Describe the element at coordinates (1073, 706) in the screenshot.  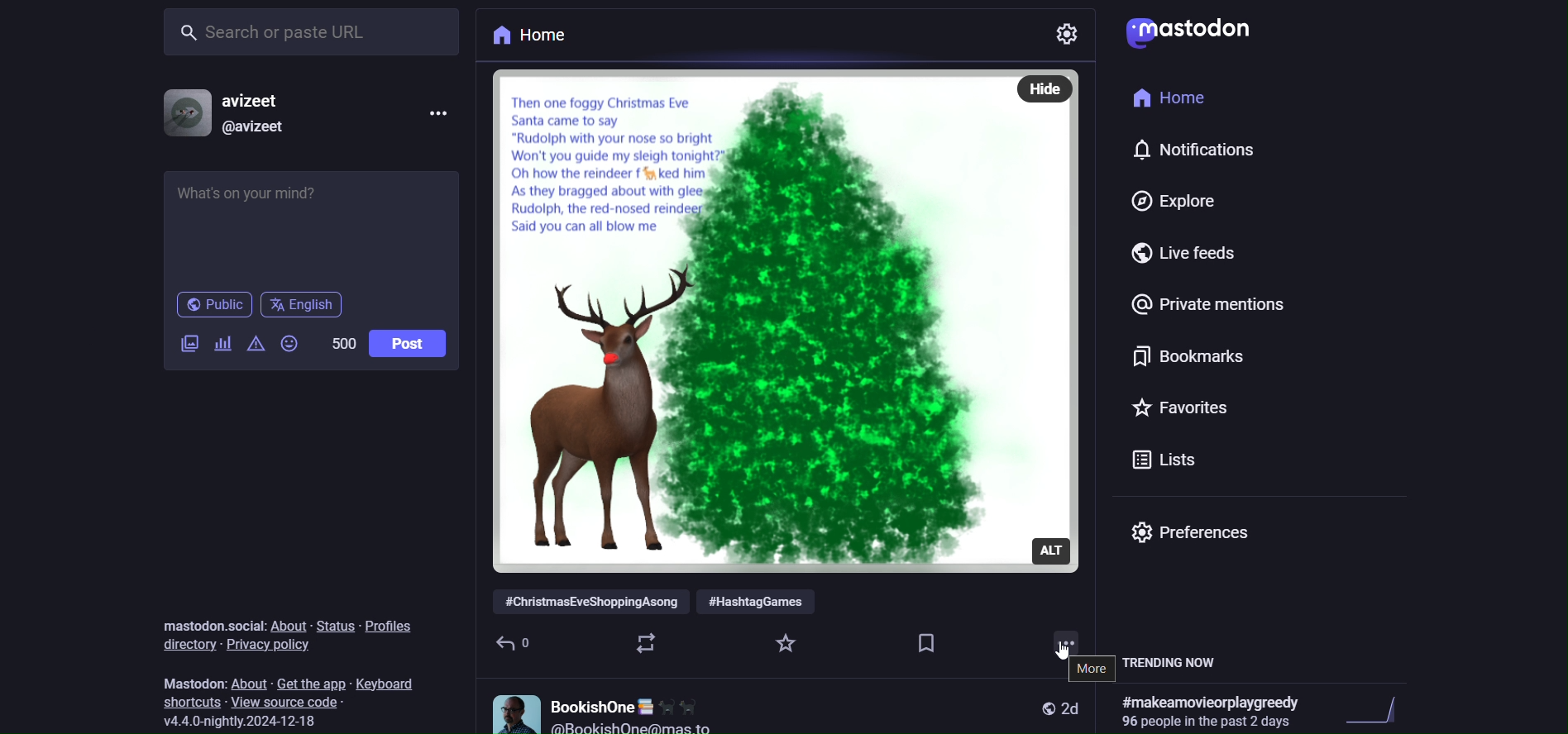
I see `2d` at that location.